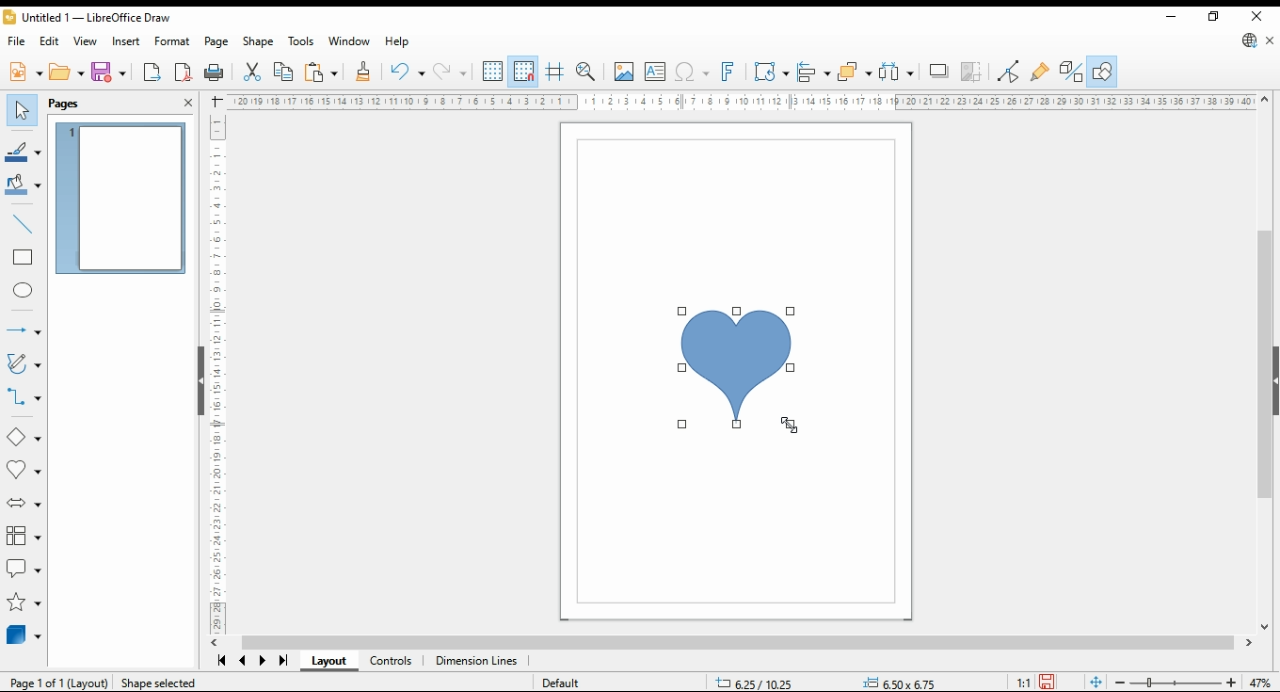 The image size is (1280, 692). What do you see at coordinates (24, 258) in the screenshot?
I see `rectangle` at bounding box center [24, 258].